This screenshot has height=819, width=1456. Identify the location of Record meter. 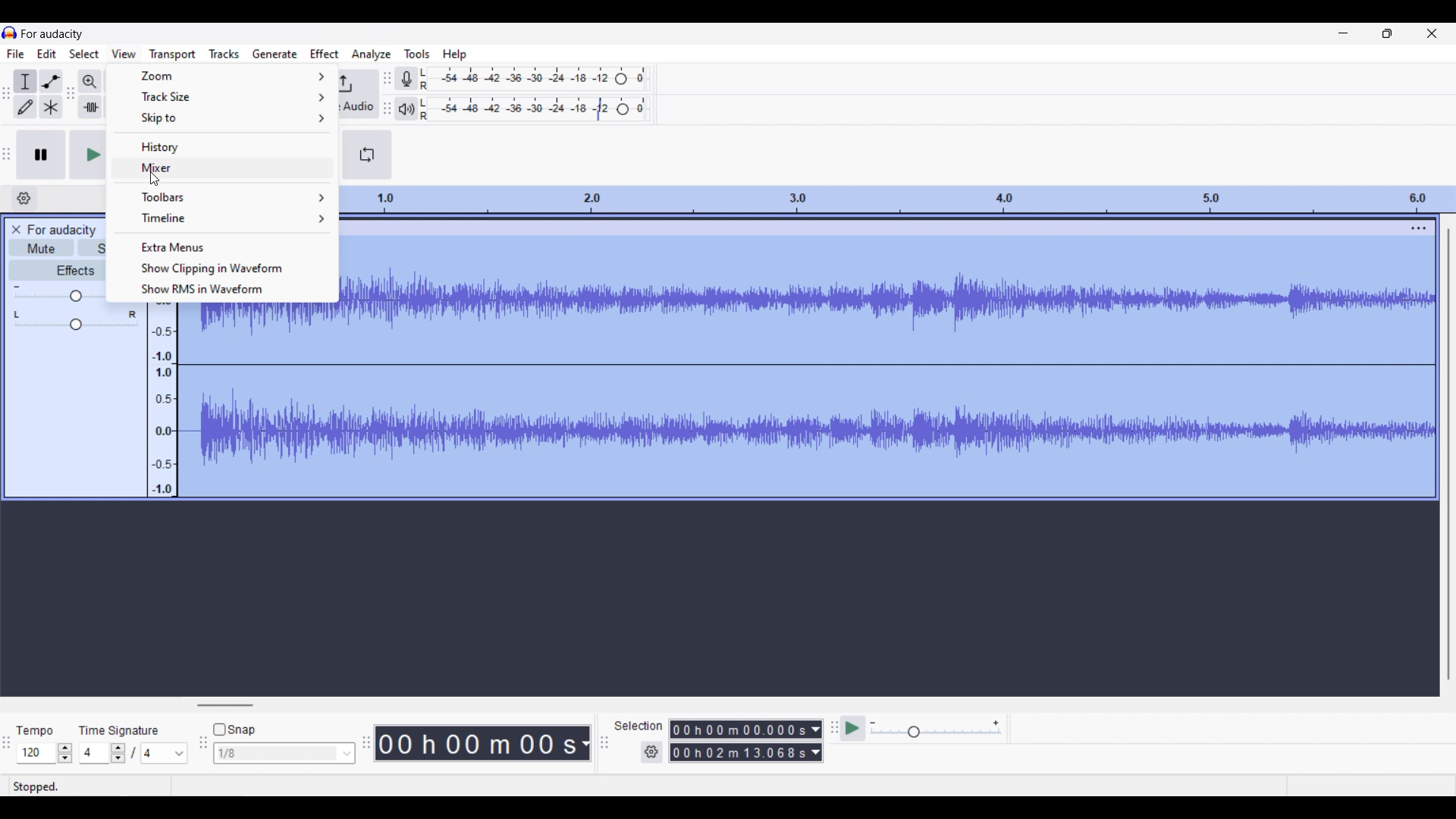
(404, 79).